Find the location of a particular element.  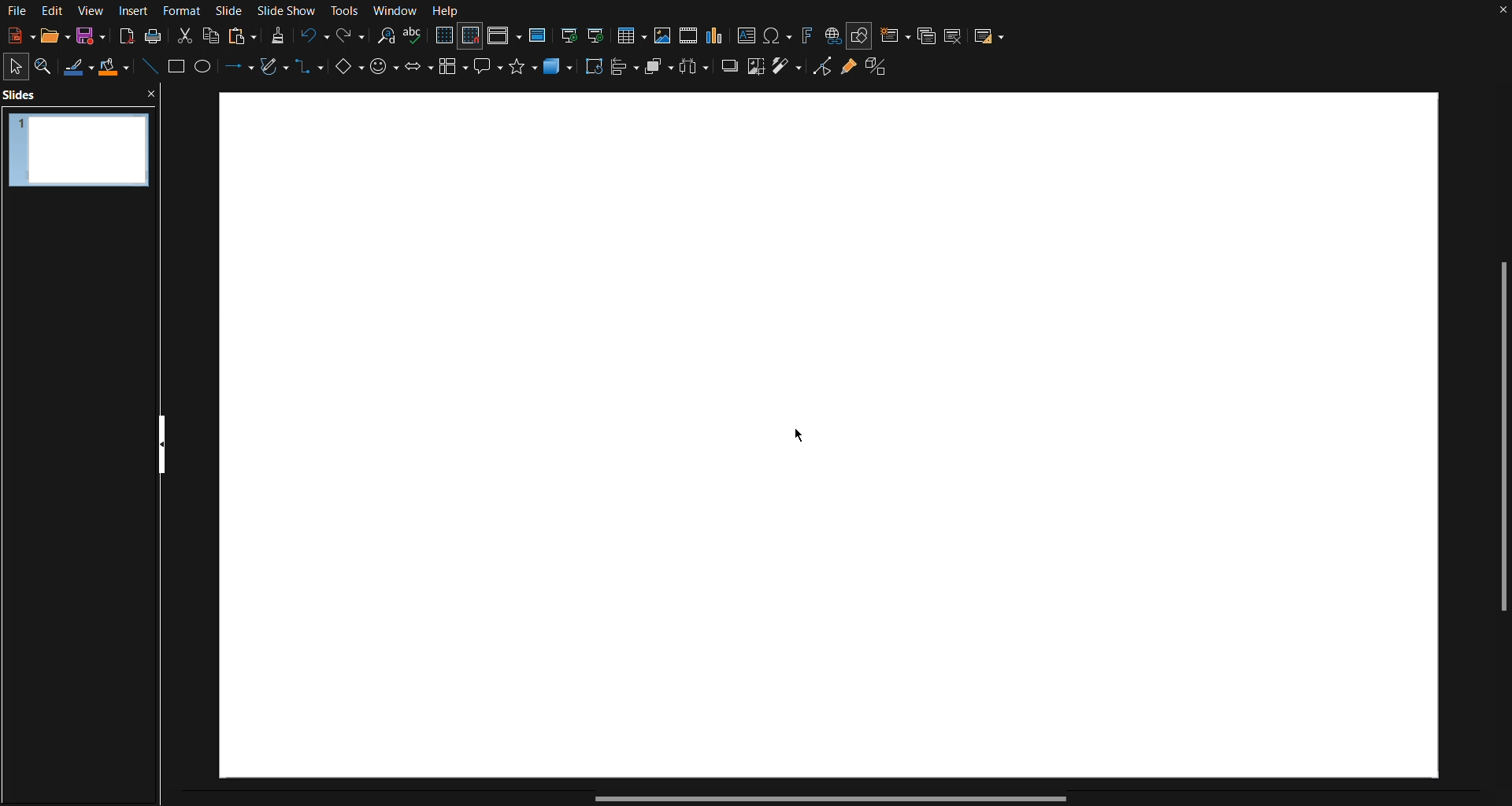

Slide Layout is located at coordinates (991, 34).